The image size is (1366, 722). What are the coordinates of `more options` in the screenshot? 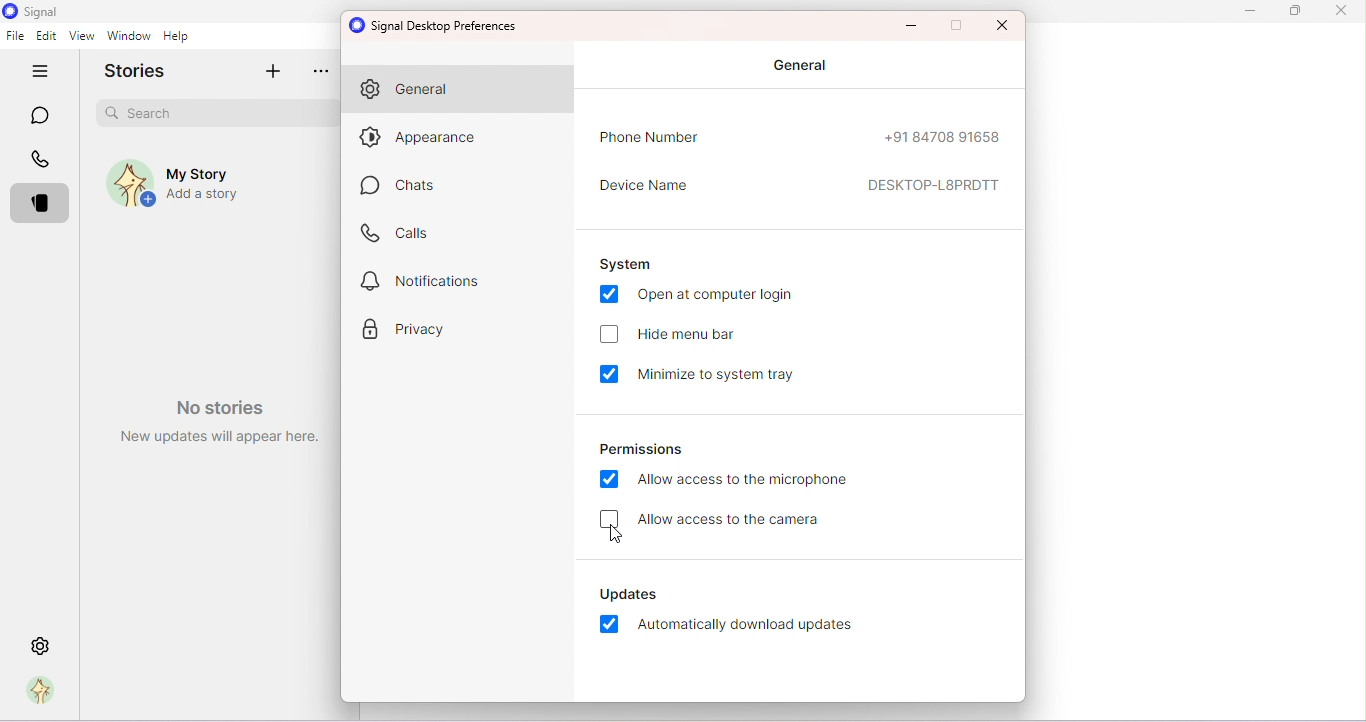 It's located at (324, 70).